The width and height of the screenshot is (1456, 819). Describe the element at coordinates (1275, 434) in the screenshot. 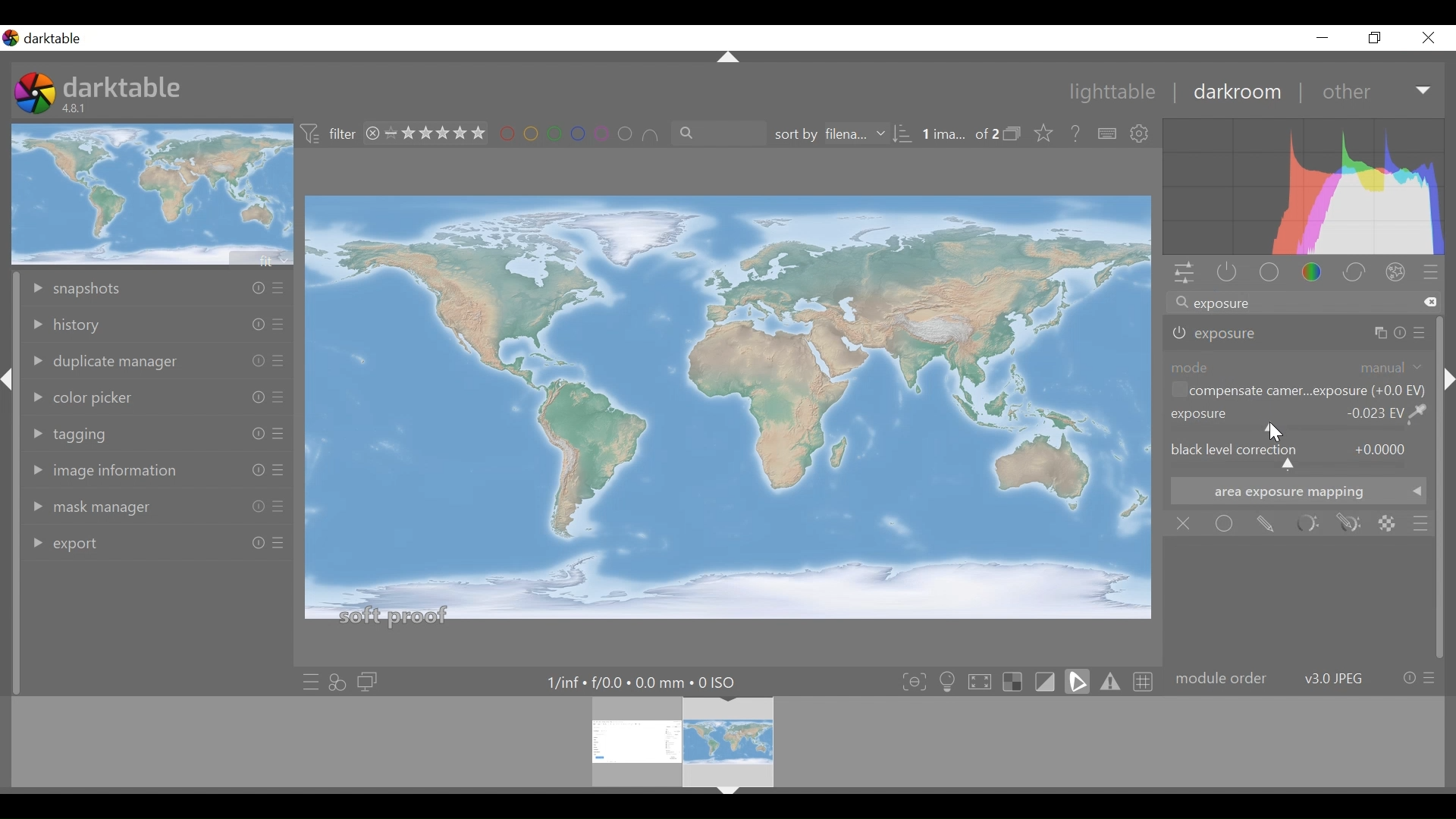

I see `Cursor` at that location.